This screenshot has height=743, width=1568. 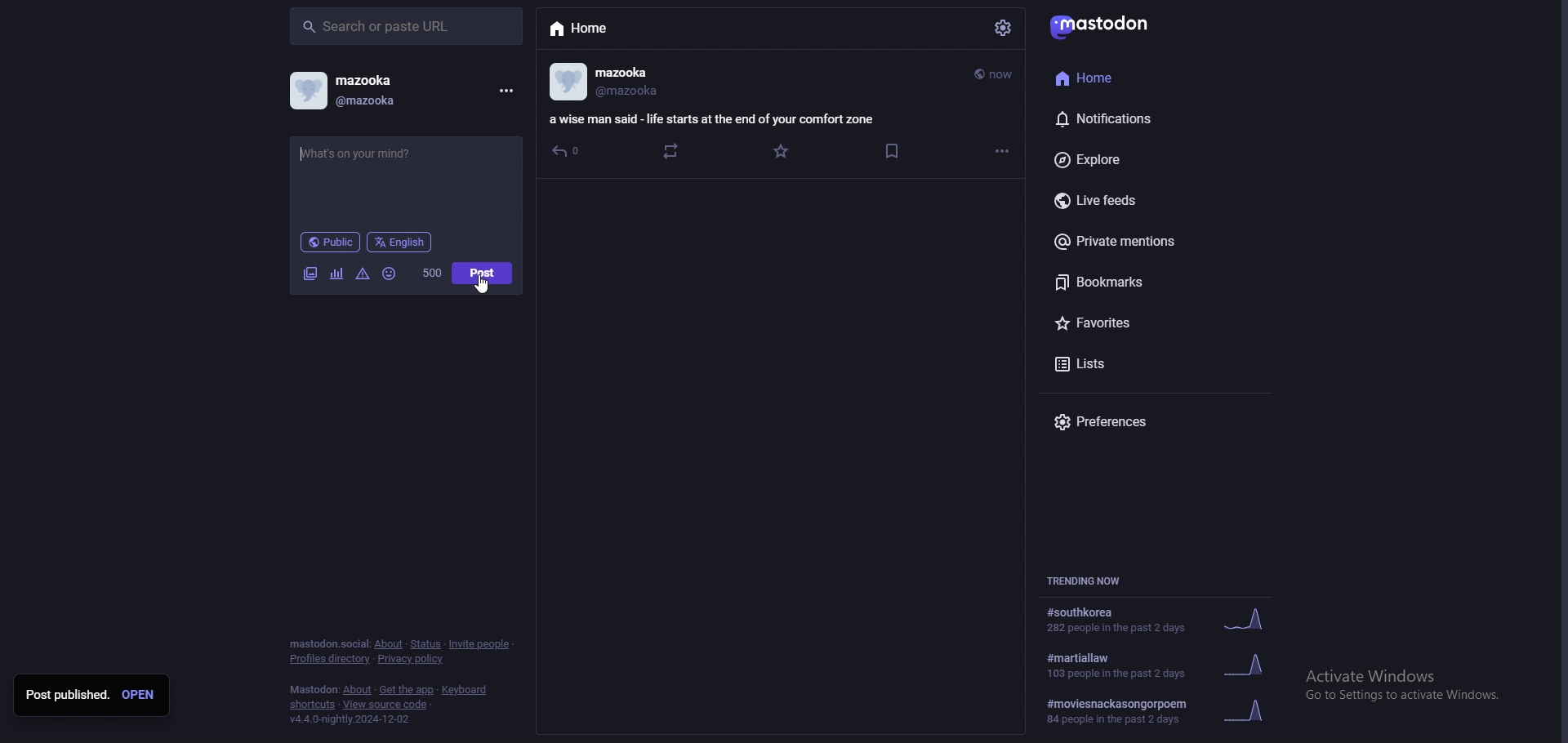 What do you see at coordinates (313, 705) in the screenshot?
I see `shortcuts` at bounding box center [313, 705].